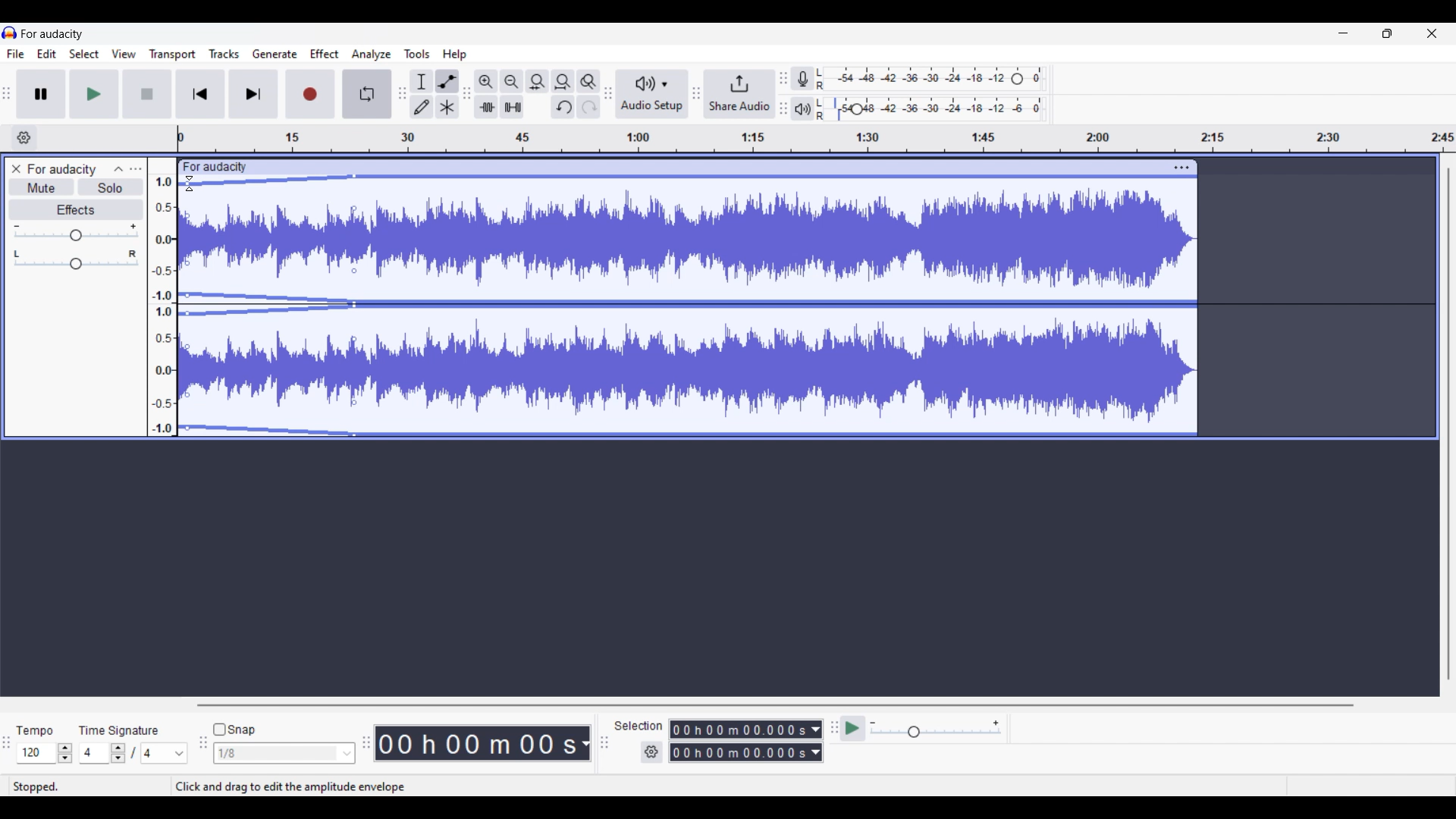  What do you see at coordinates (25, 138) in the screenshot?
I see `Timeline options` at bounding box center [25, 138].